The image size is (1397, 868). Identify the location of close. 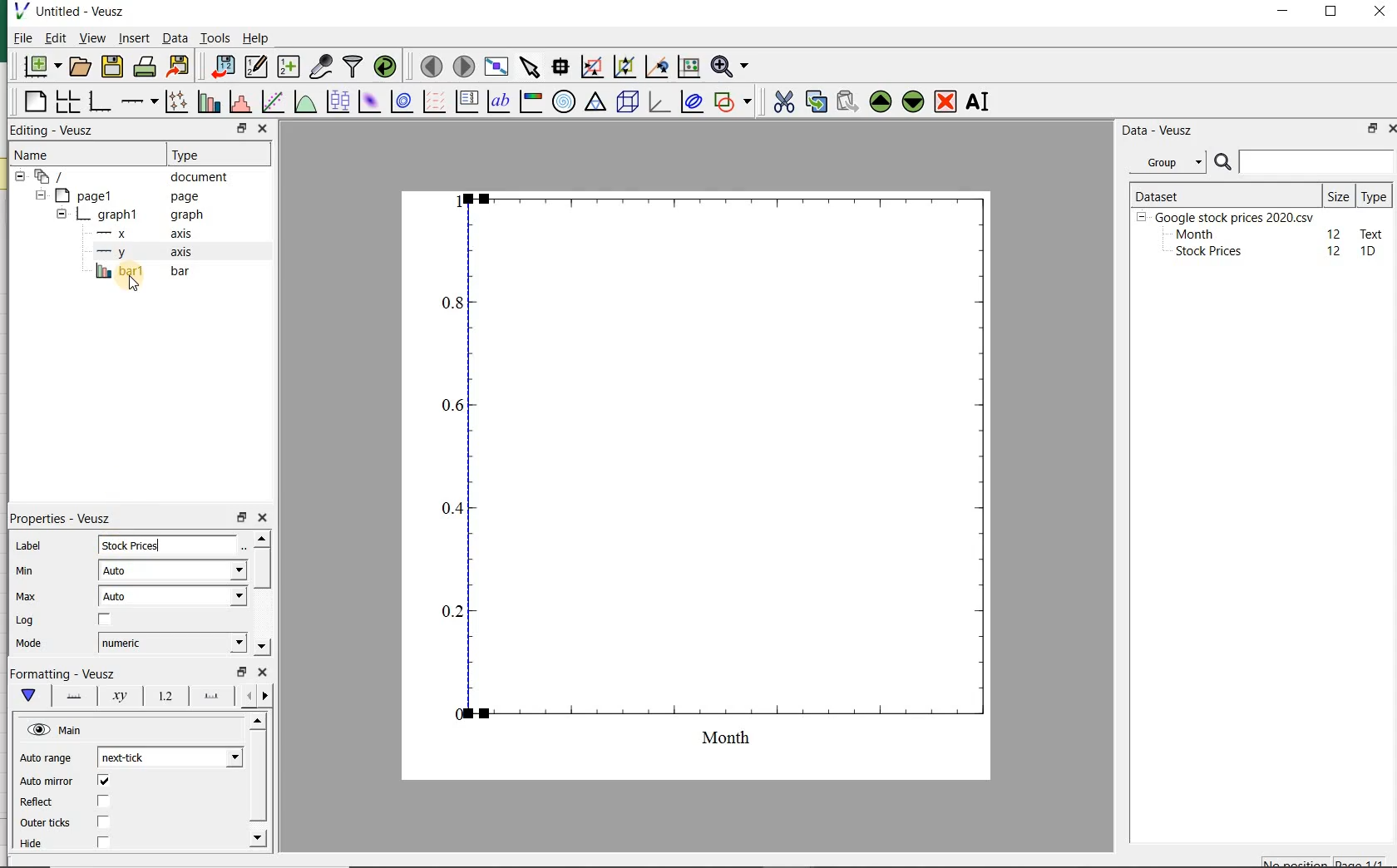
(264, 518).